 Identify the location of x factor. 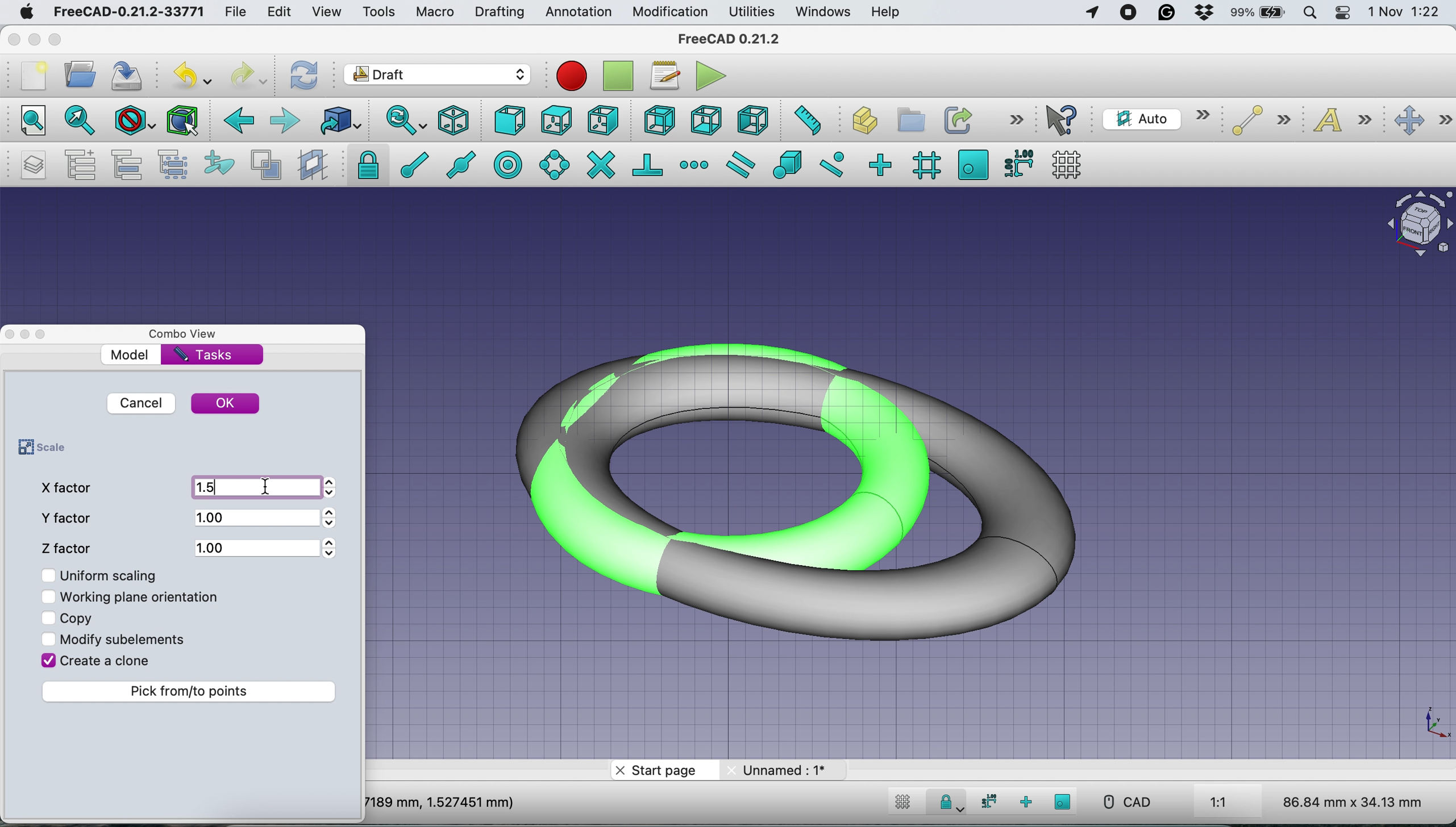
(69, 487).